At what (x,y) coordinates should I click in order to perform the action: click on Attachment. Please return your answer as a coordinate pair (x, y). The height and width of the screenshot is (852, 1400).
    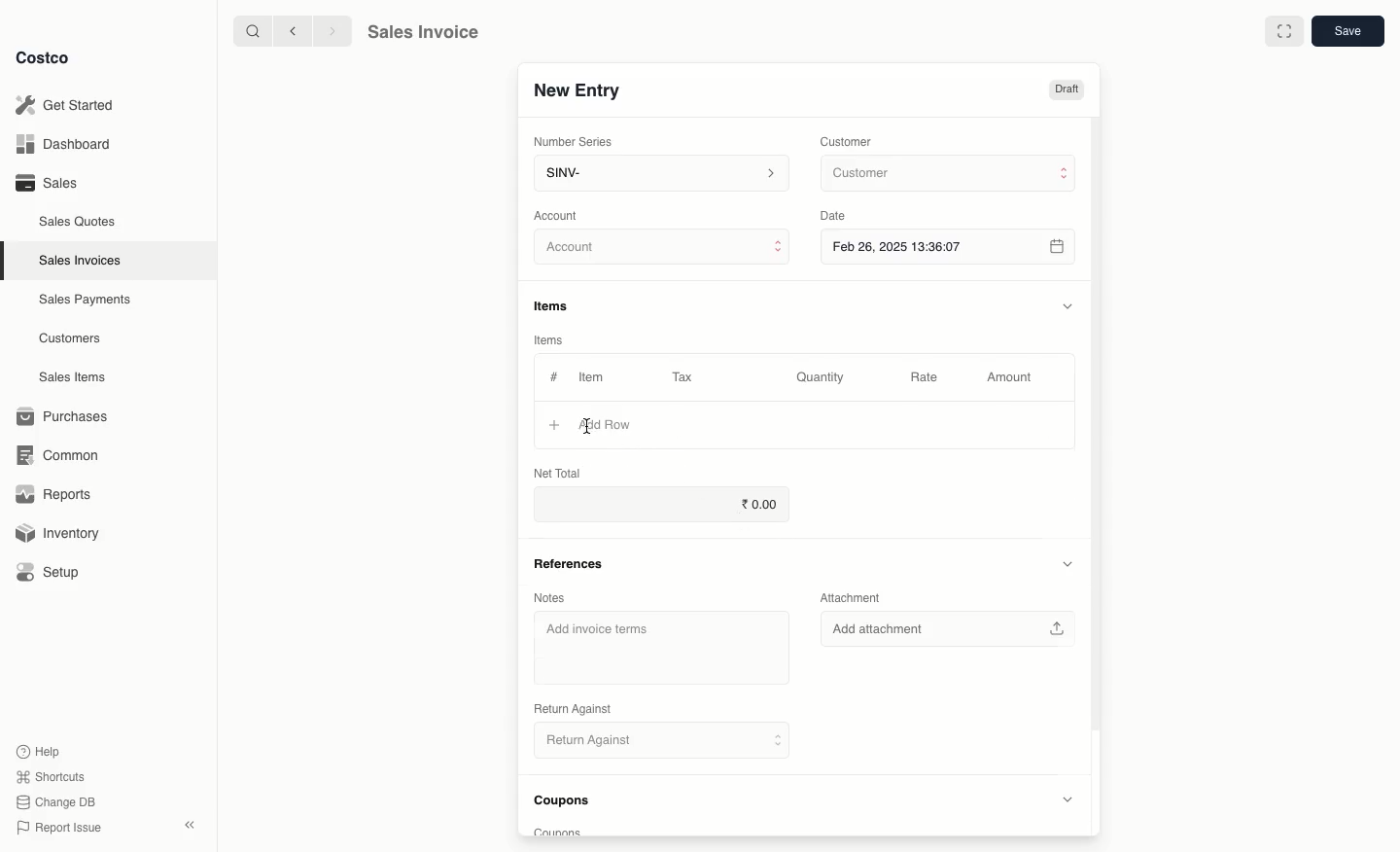
    Looking at the image, I should click on (850, 596).